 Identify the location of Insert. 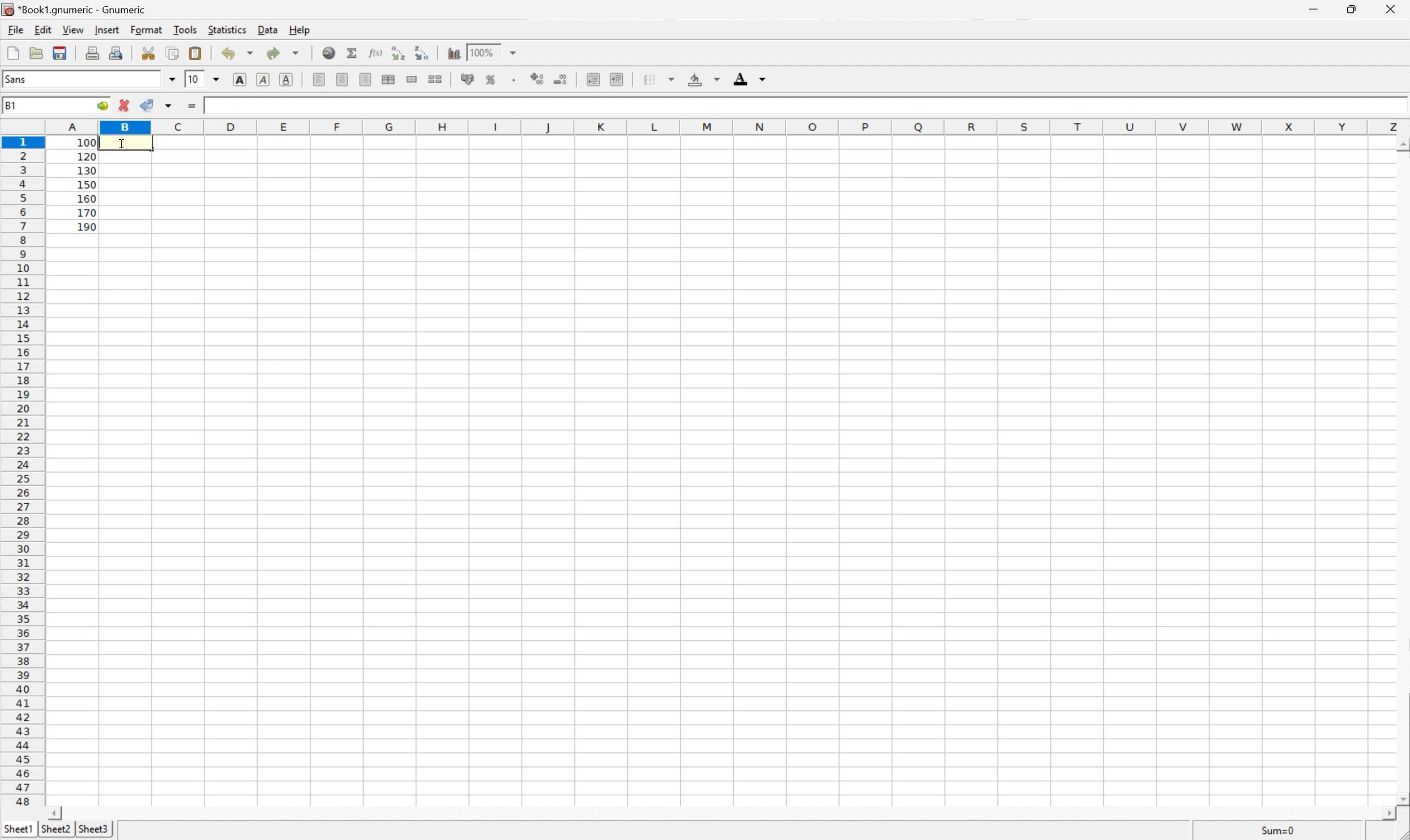
(108, 29).